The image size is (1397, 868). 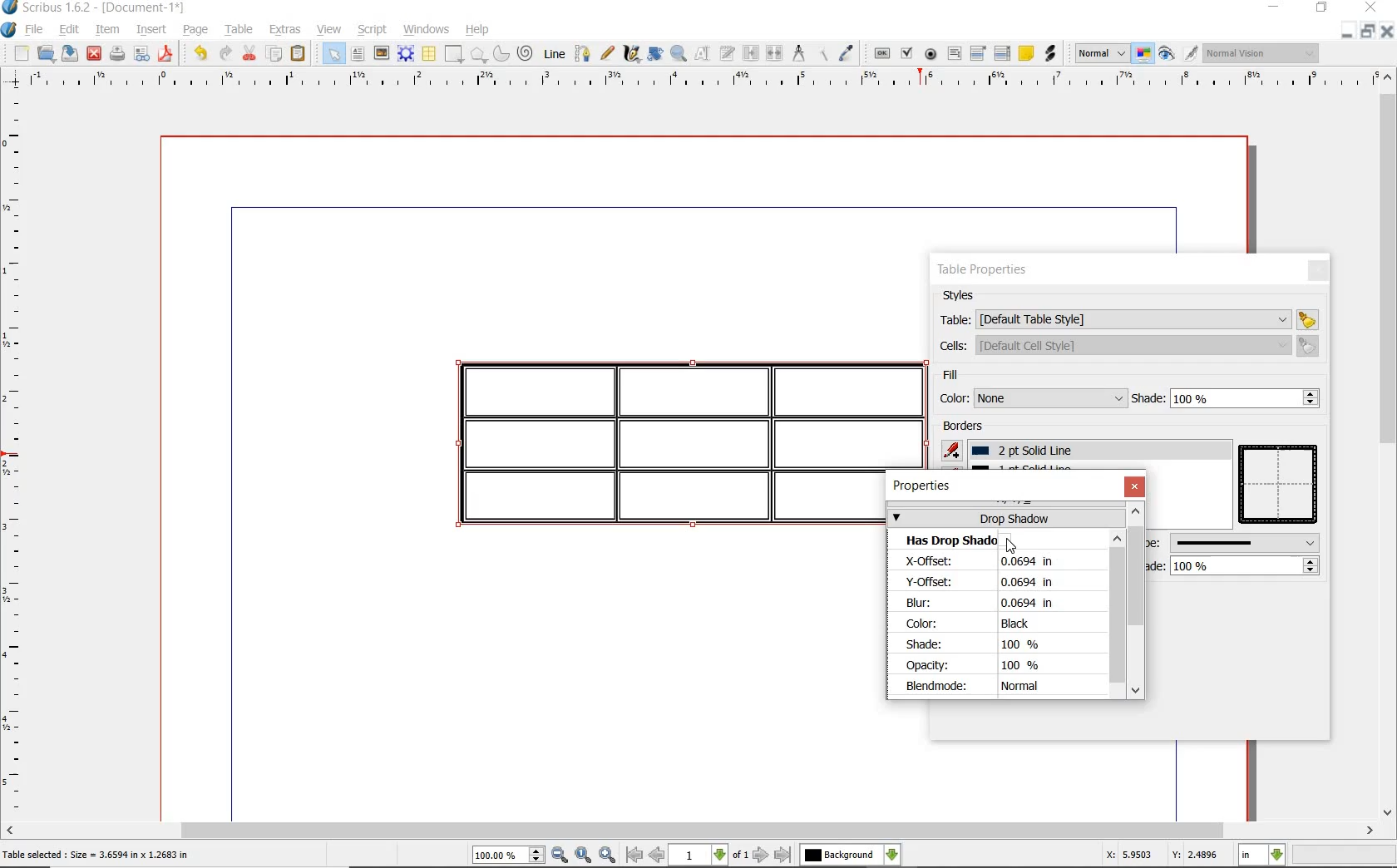 I want to click on pdf text field, so click(x=954, y=54).